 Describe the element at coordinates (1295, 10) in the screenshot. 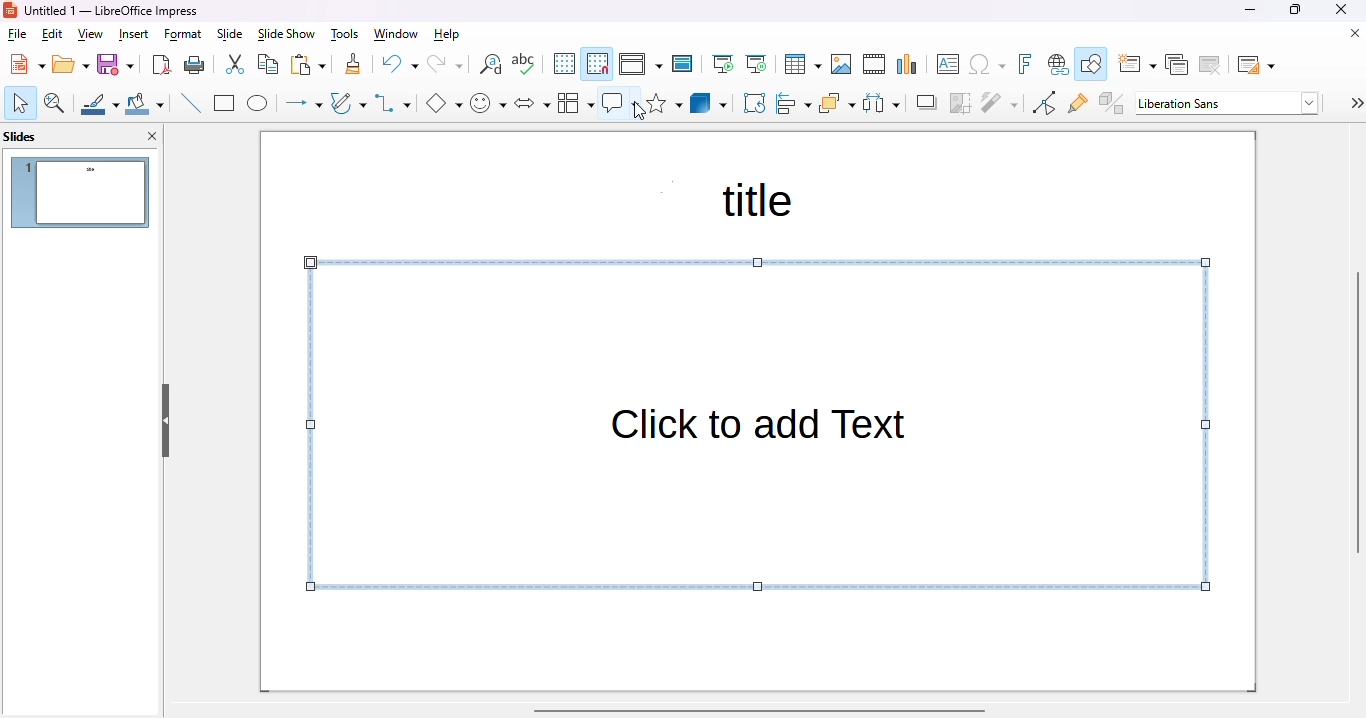

I see `maximize` at that location.